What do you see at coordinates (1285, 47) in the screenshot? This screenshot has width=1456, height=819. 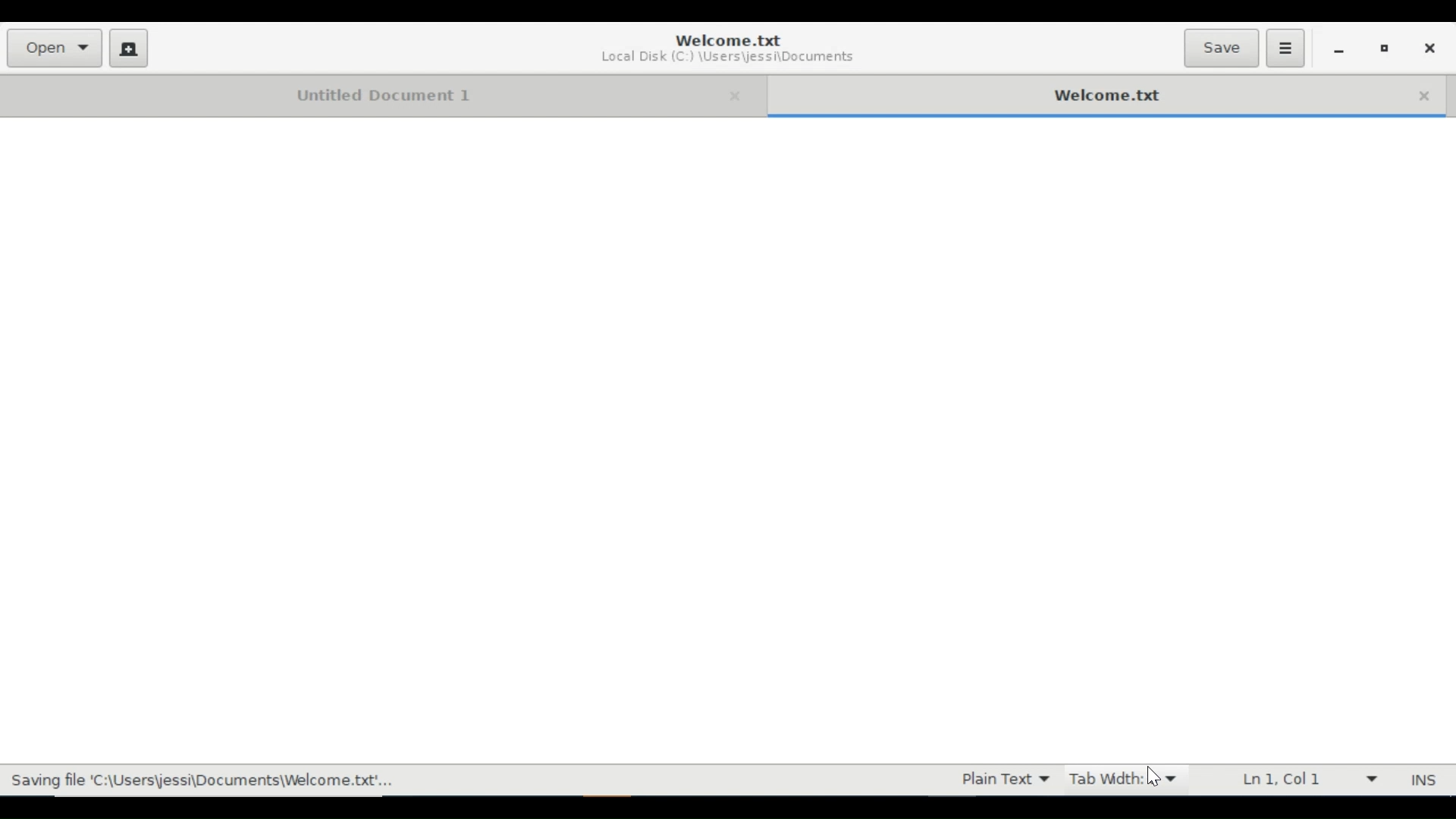 I see `Application menu` at bounding box center [1285, 47].